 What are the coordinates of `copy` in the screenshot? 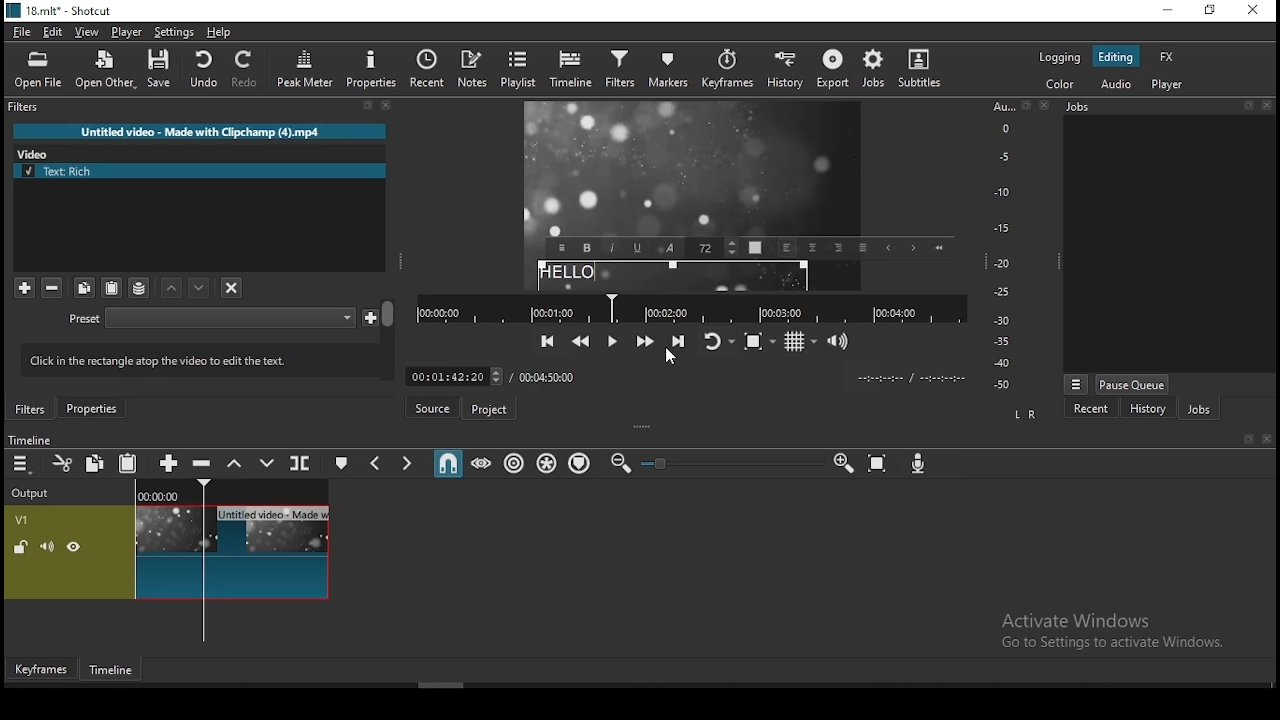 It's located at (95, 462).